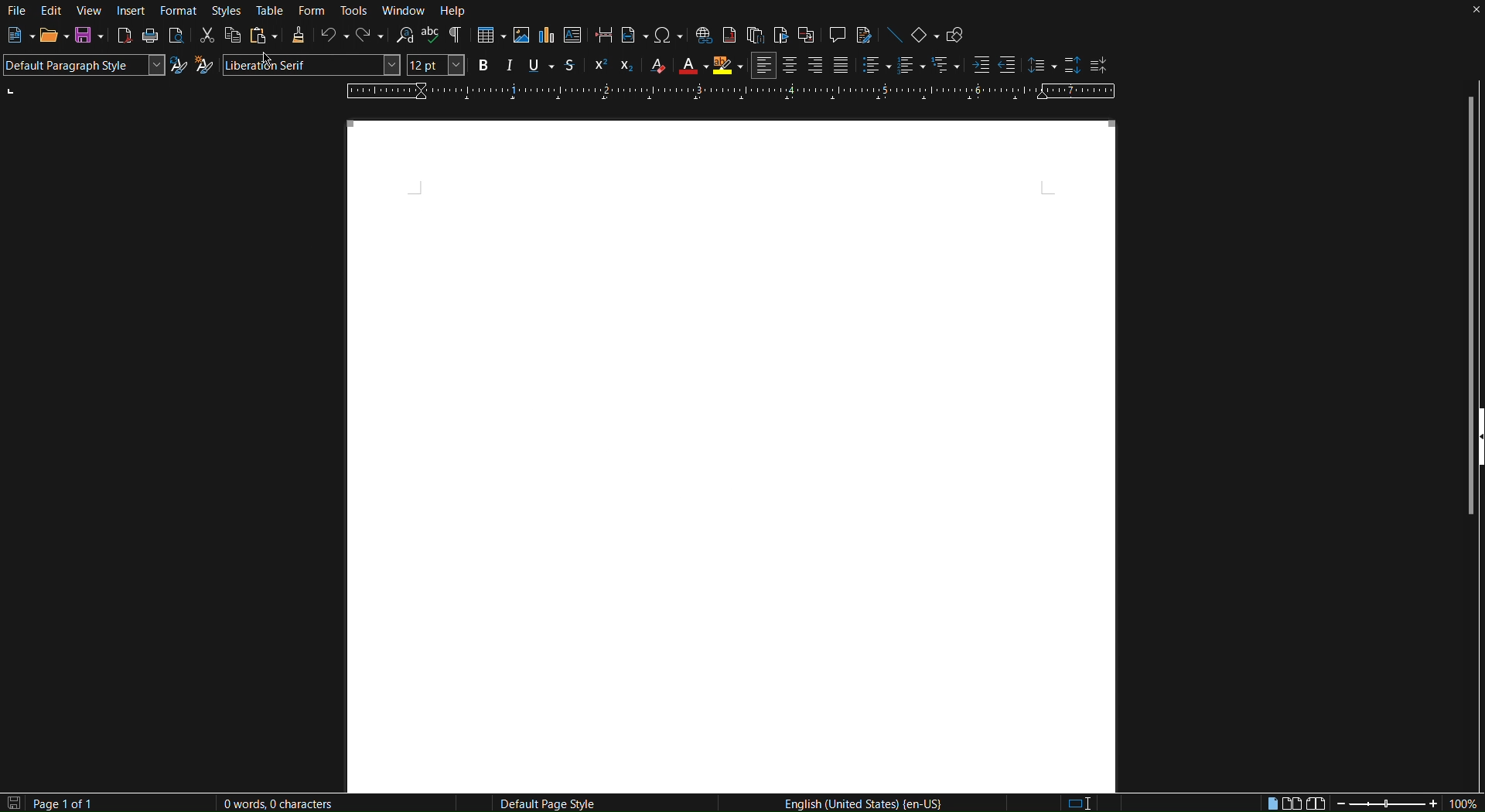 The image size is (1485, 812). I want to click on Undo, so click(332, 37).